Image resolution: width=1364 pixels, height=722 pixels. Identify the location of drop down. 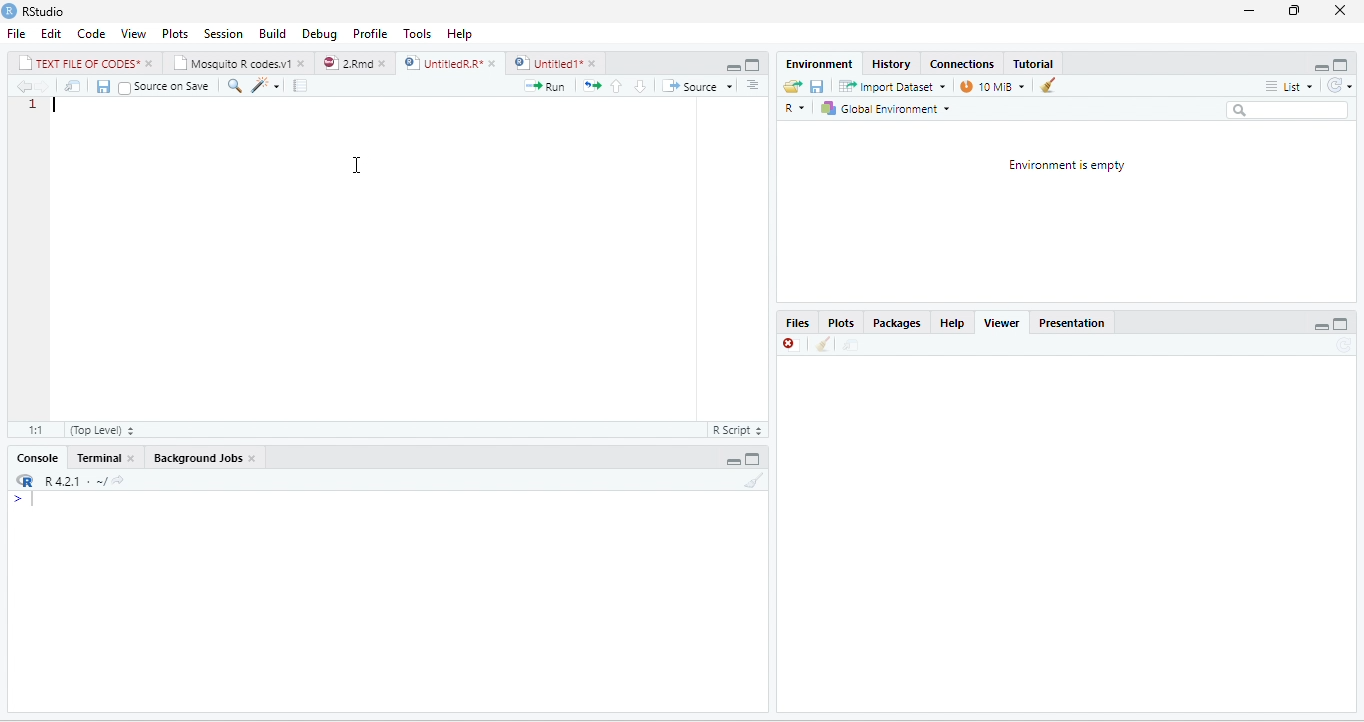
(730, 87).